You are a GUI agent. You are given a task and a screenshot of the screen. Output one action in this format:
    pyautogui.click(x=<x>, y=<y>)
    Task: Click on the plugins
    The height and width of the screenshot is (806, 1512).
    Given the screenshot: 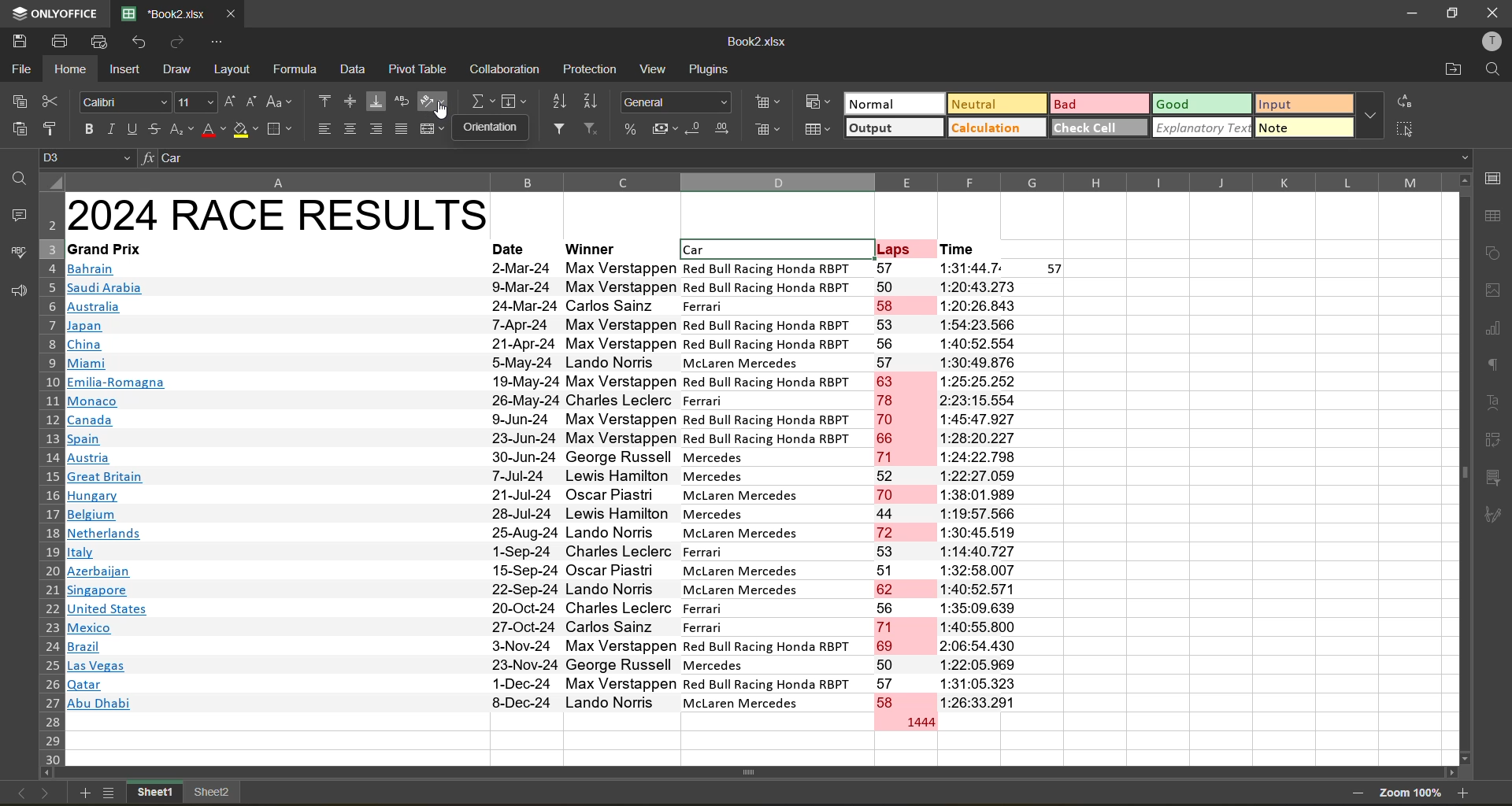 What is the action you would take?
    pyautogui.click(x=712, y=68)
    